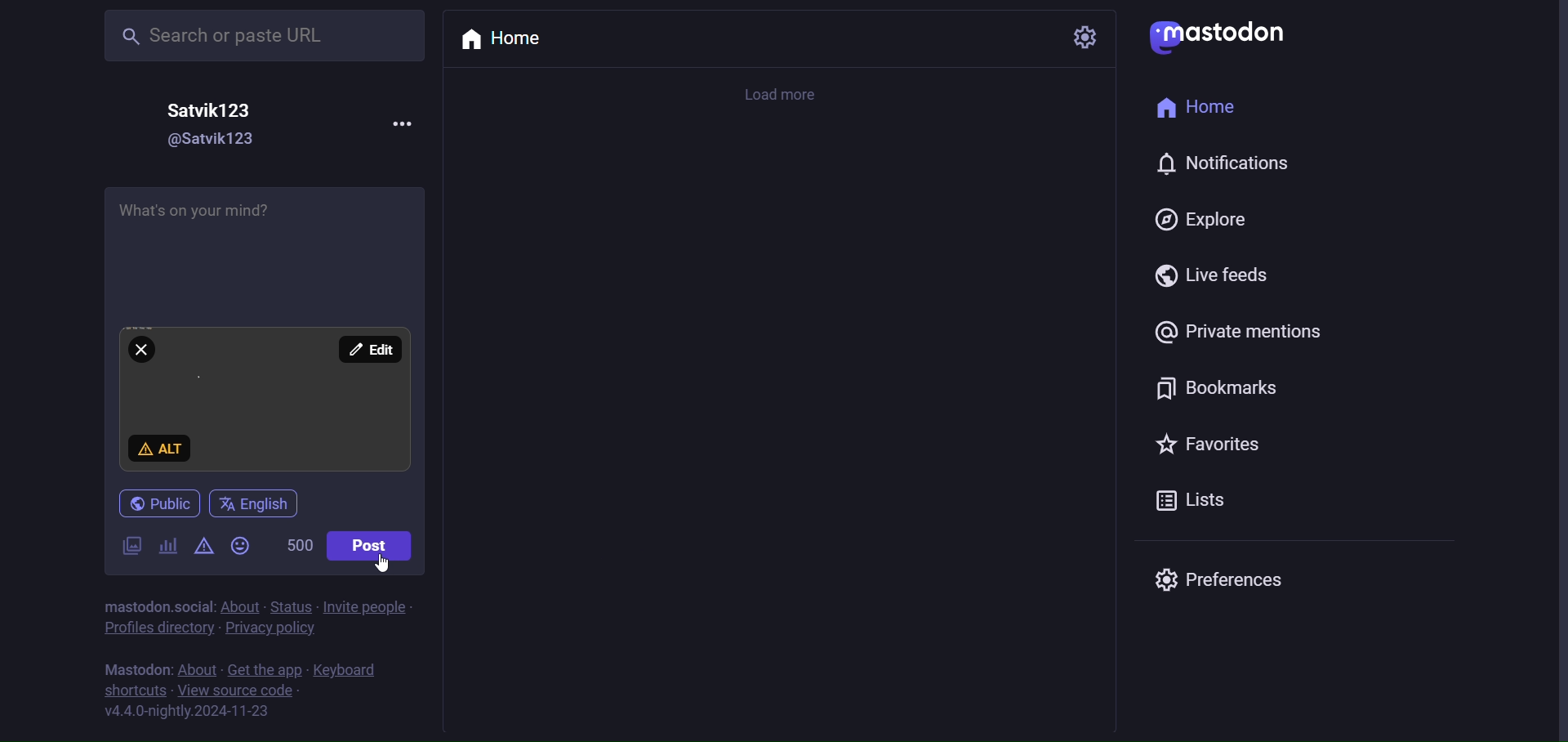 This screenshot has width=1568, height=742. I want to click on profile, so click(152, 628).